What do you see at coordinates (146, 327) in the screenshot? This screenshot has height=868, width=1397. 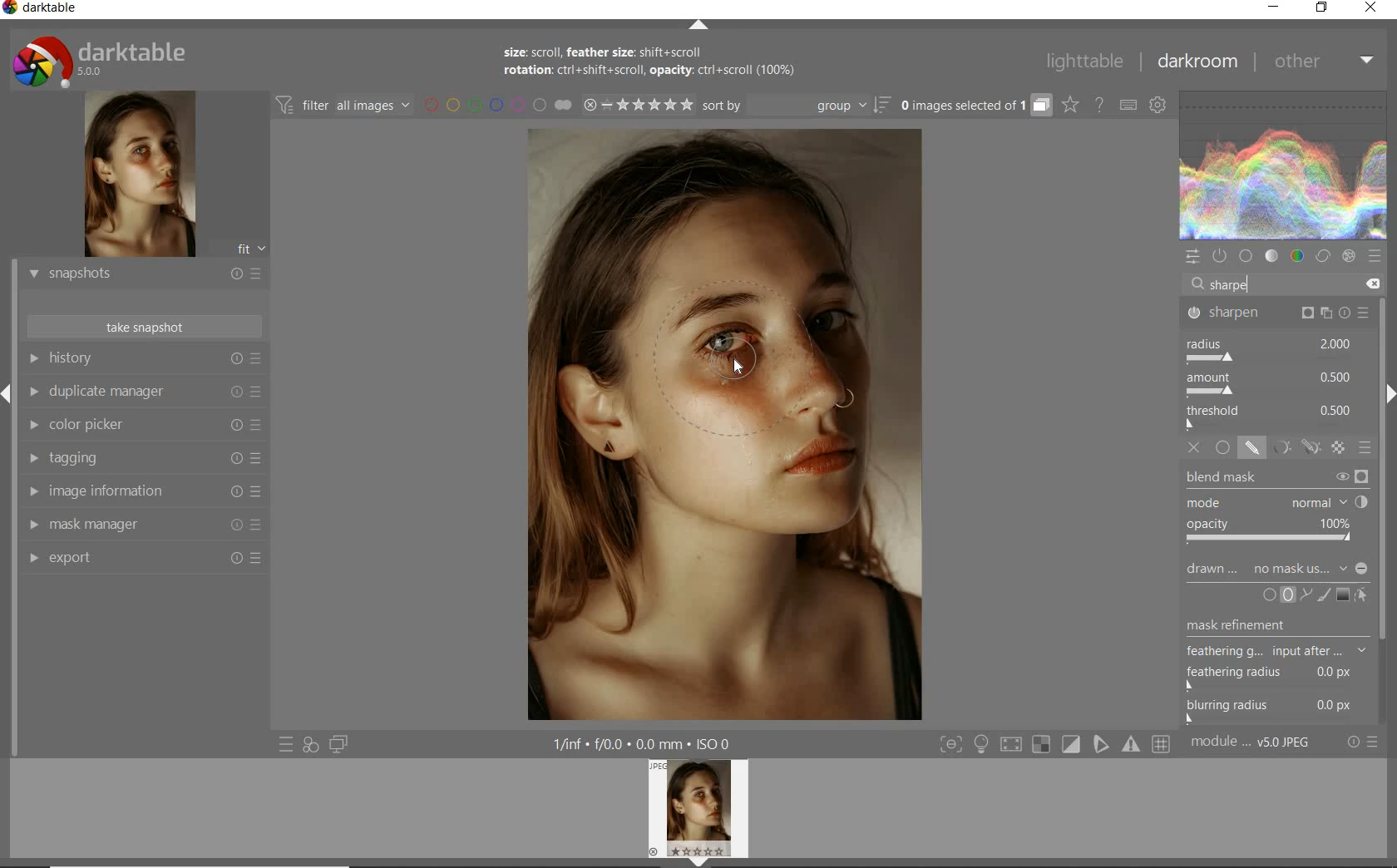 I see `take snapshots` at bounding box center [146, 327].